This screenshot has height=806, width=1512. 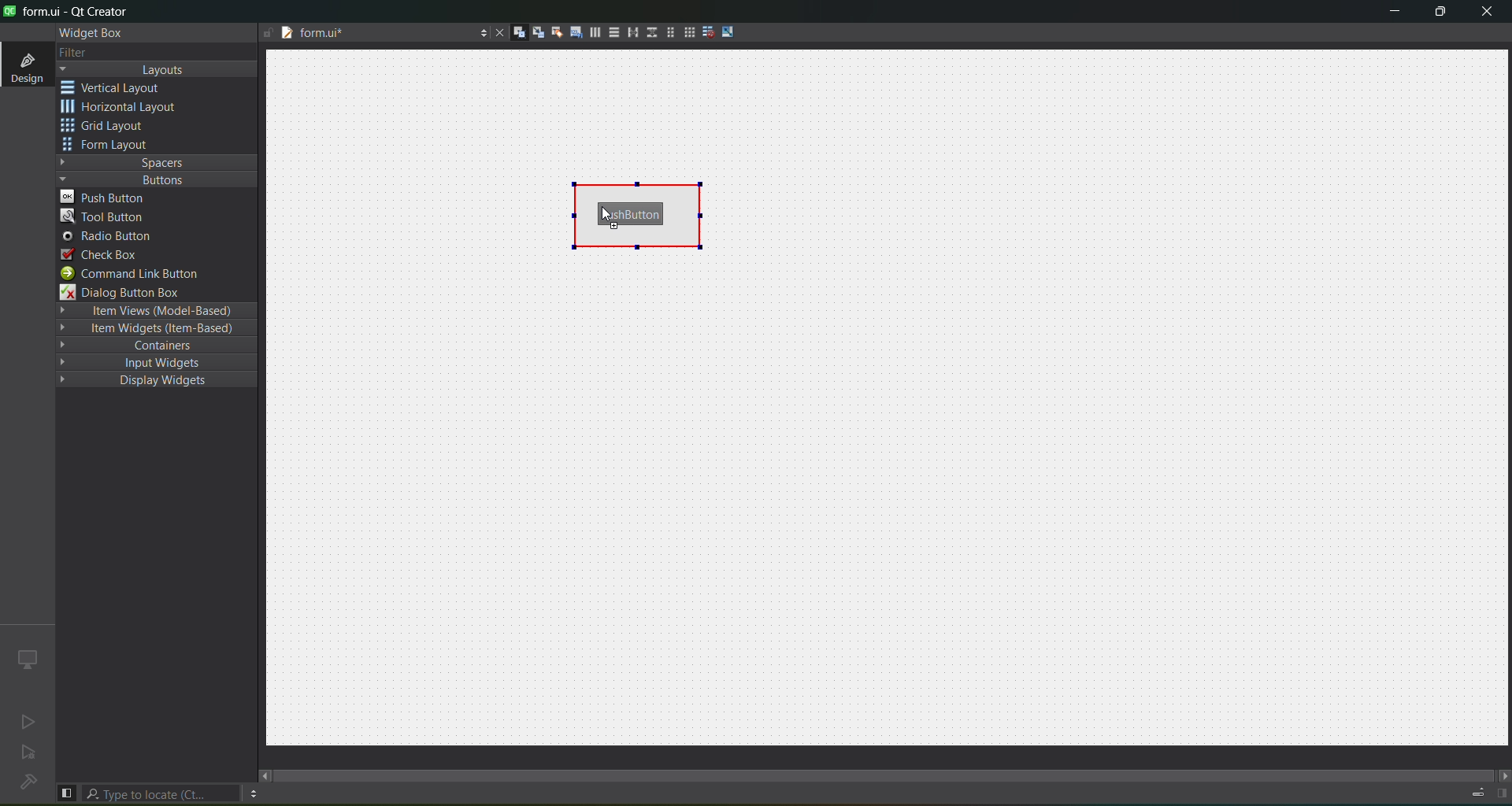 I want to click on break layout, so click(x=708, y=31).